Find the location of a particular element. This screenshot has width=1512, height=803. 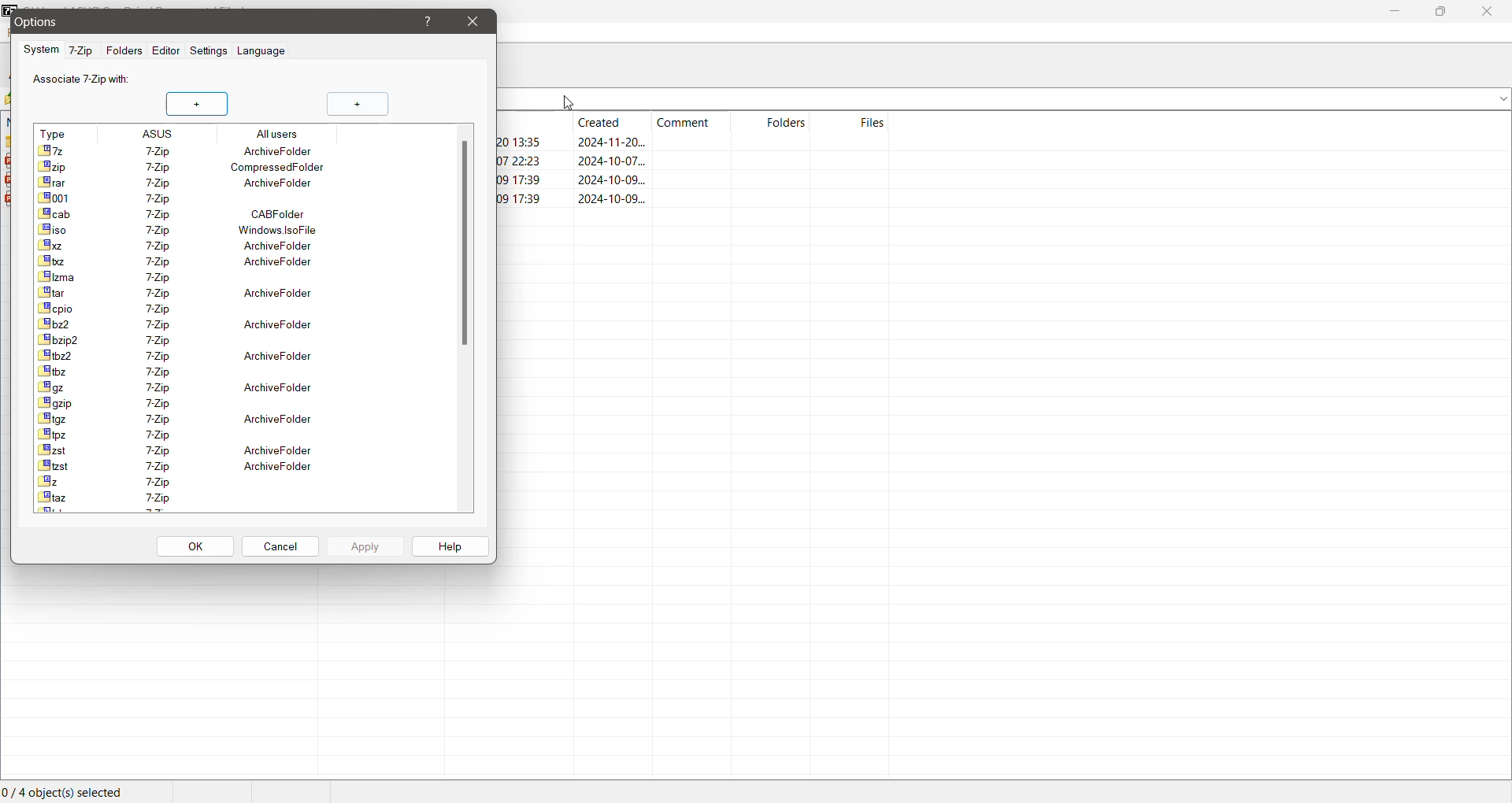

Archive Folder is located at coordinates (184, 244).